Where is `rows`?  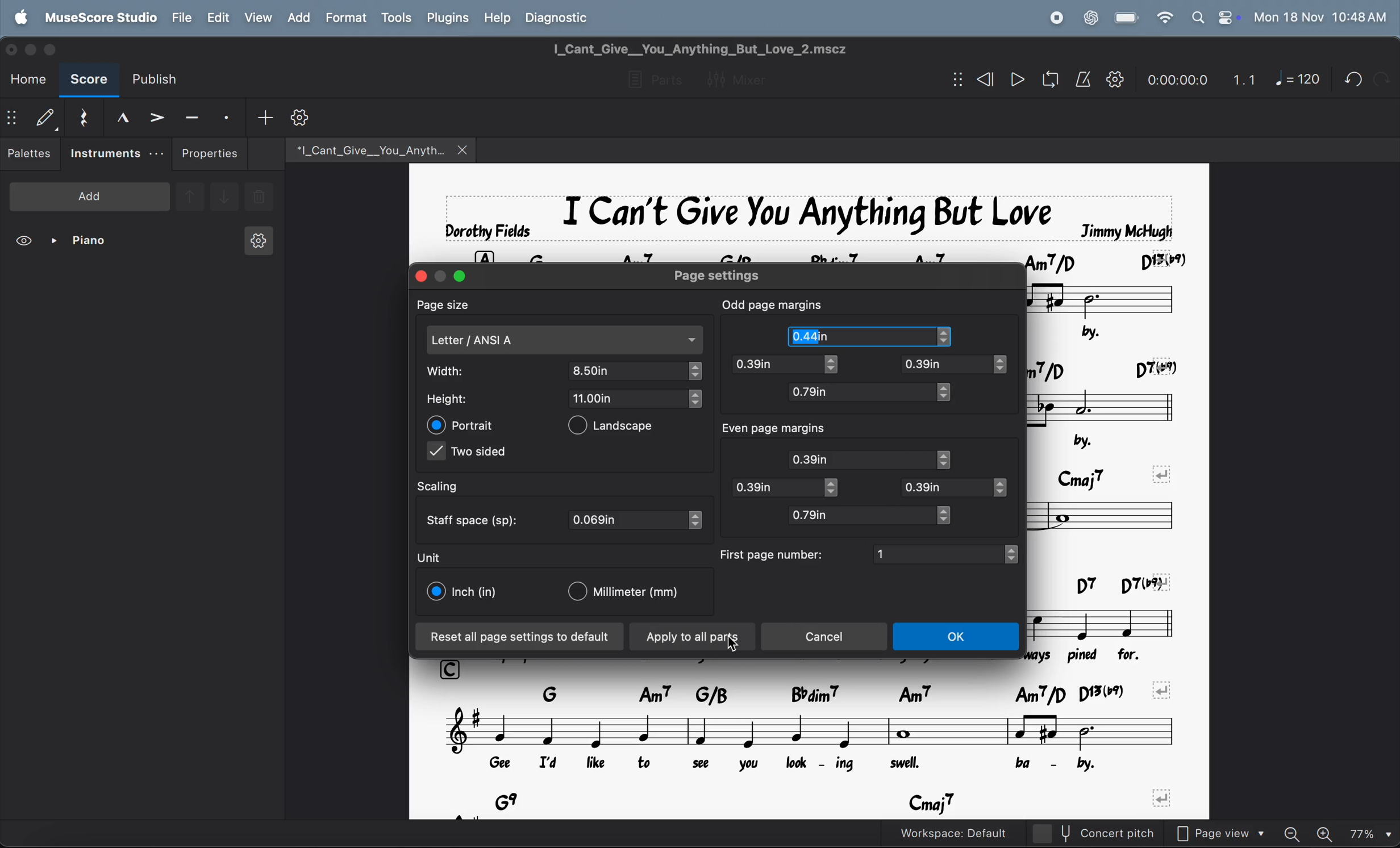
rows is located at coordinates (484, 252).